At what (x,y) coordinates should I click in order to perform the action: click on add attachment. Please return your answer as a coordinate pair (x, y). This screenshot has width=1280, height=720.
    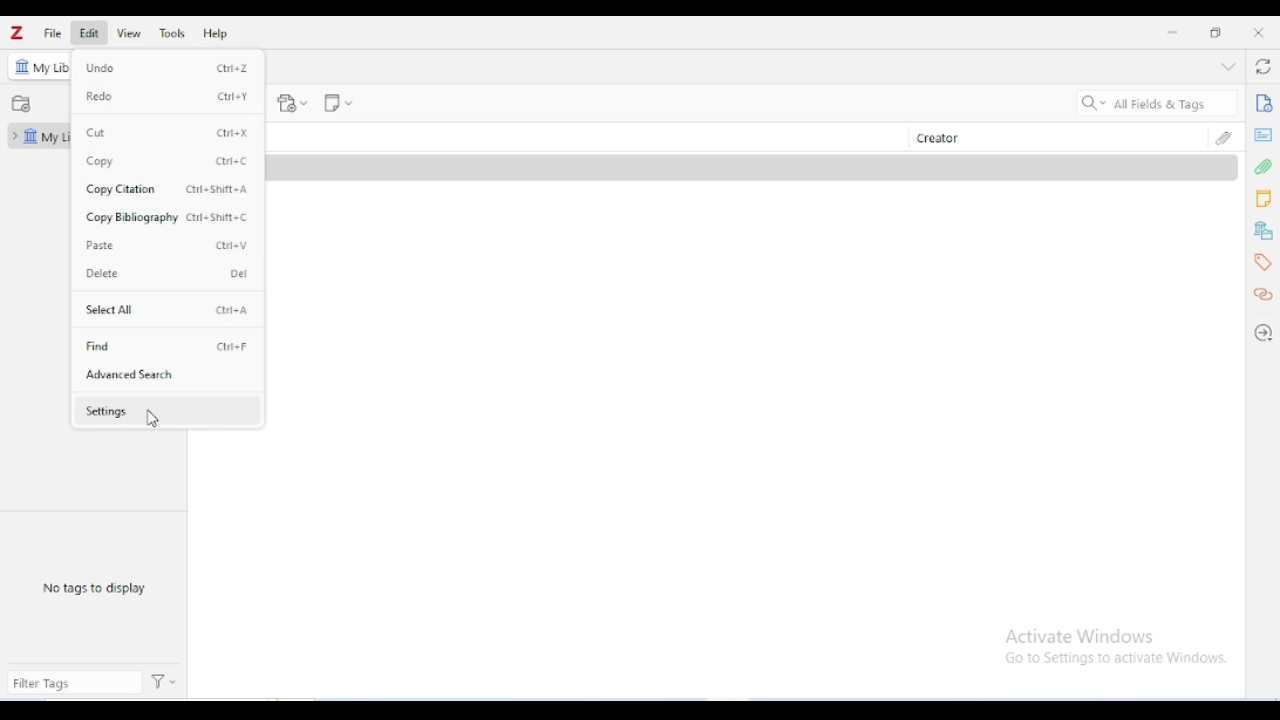
    Looking at the image, I should click on (292, 103).